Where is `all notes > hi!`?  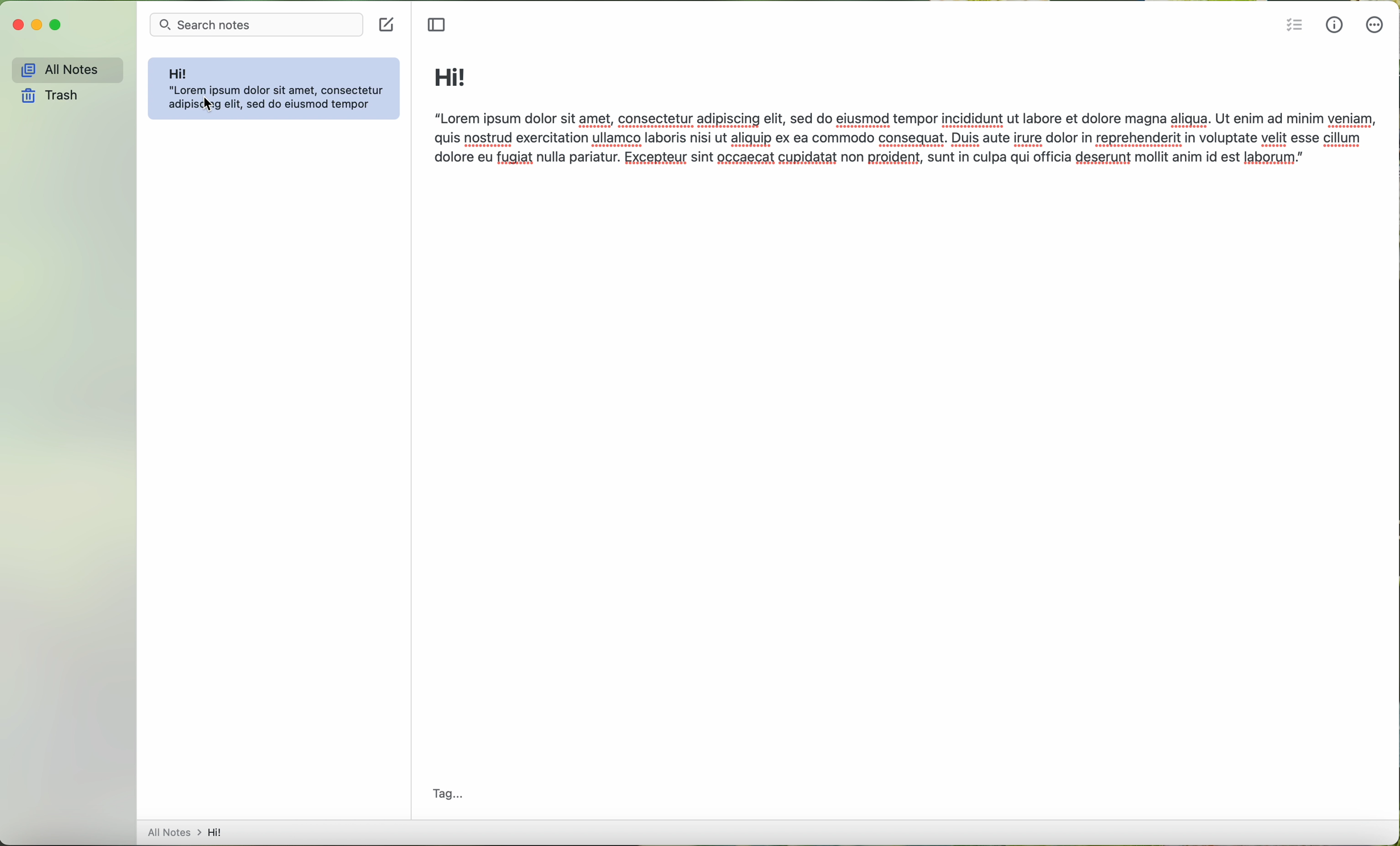
all notes > hi! is located at coordinates (188, 831).